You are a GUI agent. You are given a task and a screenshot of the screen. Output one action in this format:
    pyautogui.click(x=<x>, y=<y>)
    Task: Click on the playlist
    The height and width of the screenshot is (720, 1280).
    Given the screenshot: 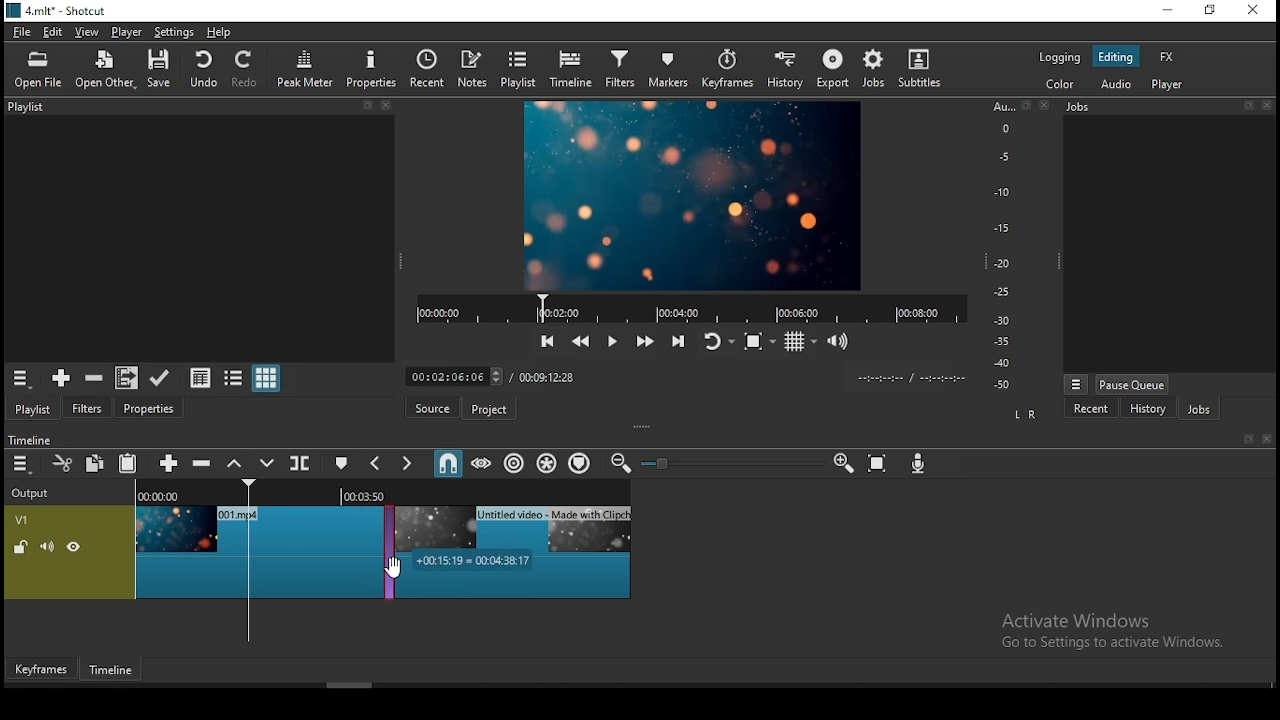 What is the action you would take?
    pyautogui.click(x=33, y=407)
    